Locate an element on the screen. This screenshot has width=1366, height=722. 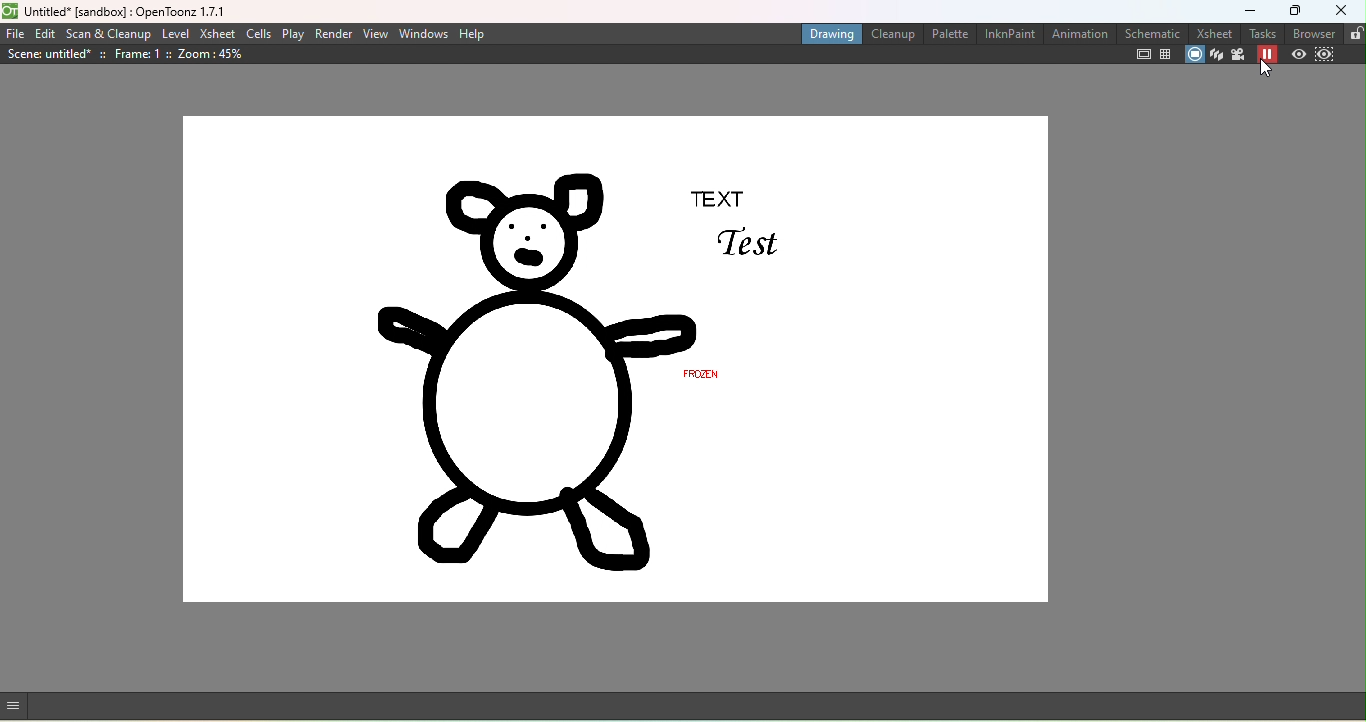
Camera view is located at coordinates (1239, 54).